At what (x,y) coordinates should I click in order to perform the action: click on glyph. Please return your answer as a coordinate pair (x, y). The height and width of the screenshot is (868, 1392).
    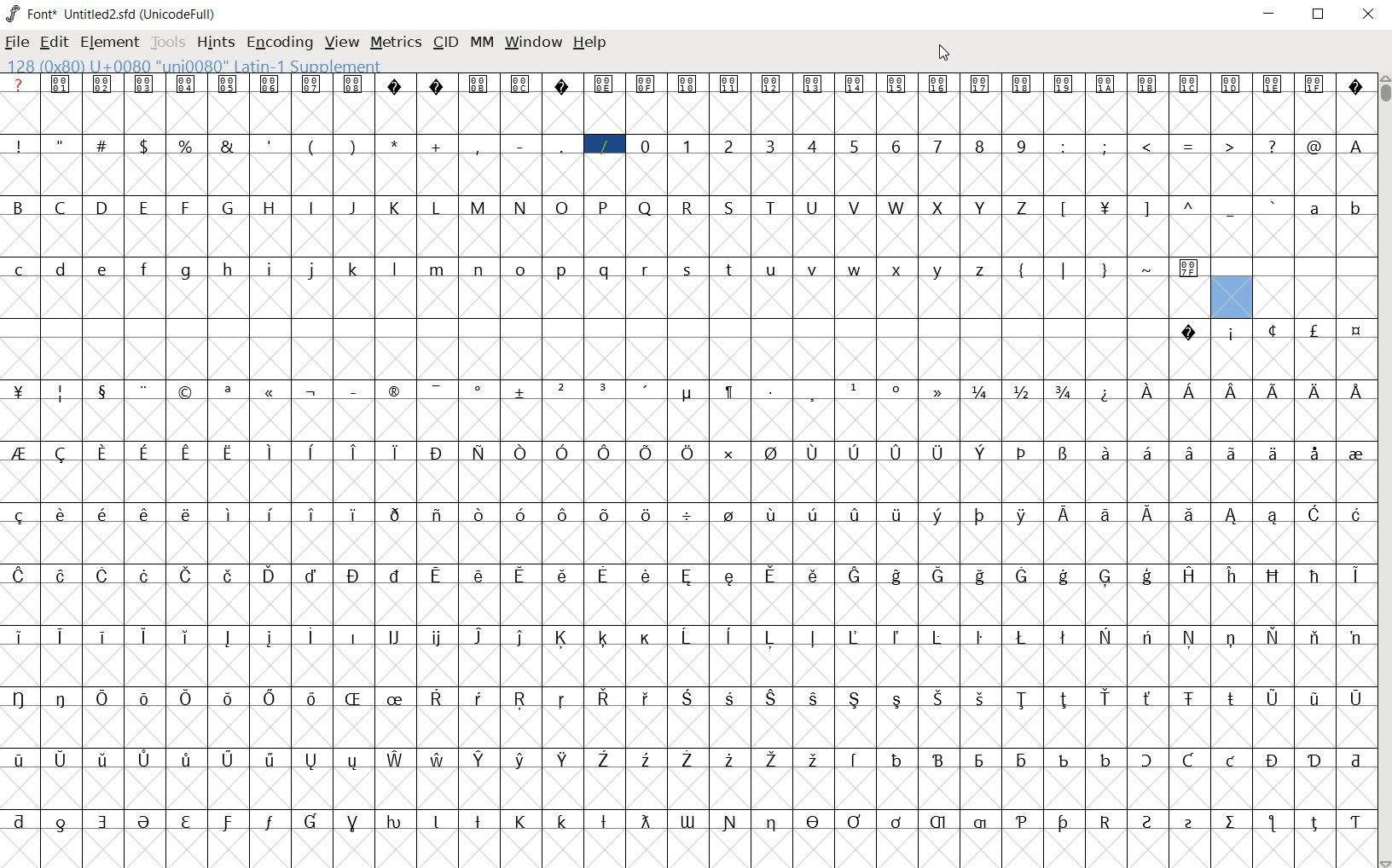
    Looking at the image, I should click on (815, 699).